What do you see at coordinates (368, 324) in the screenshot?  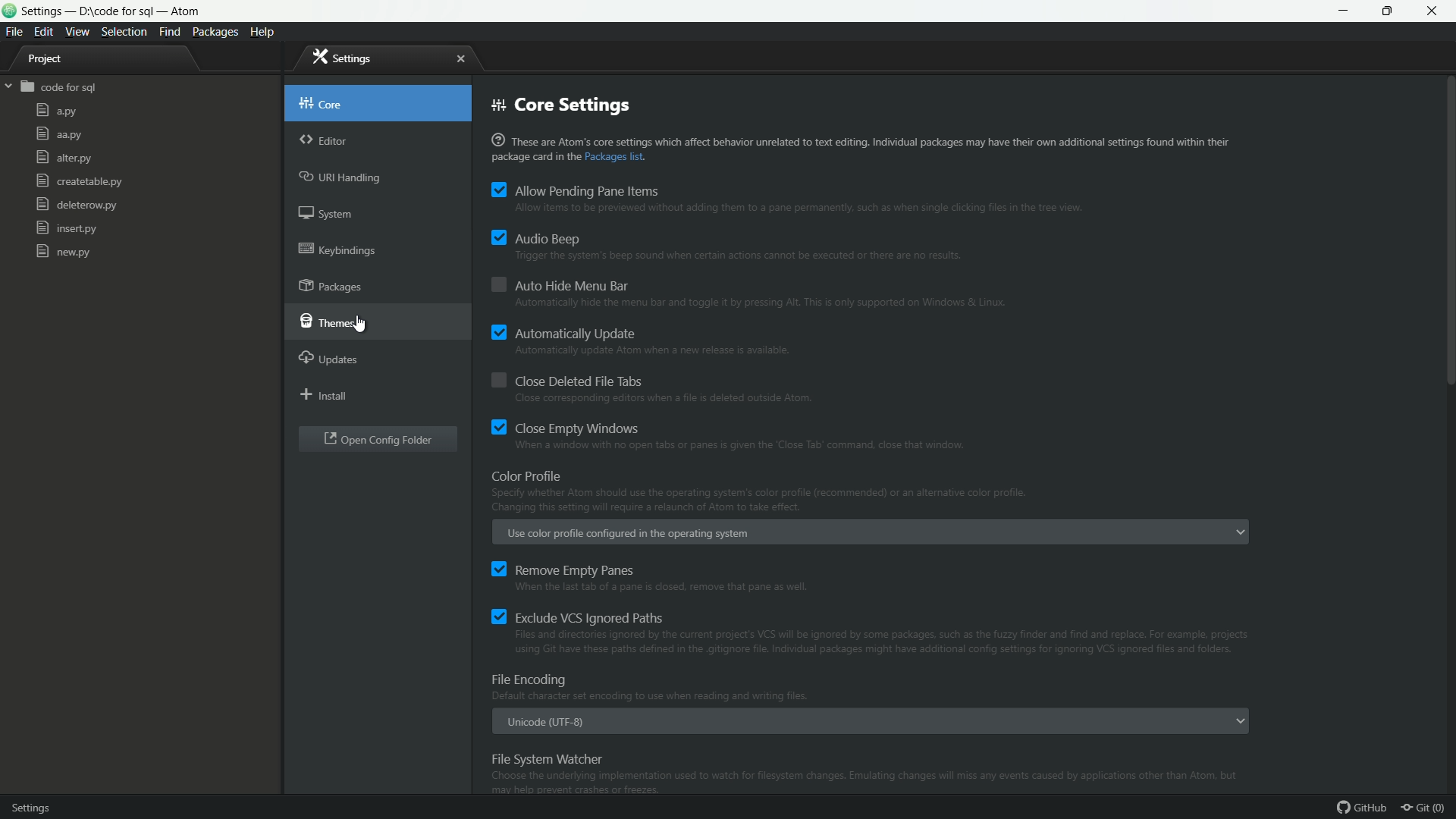 I see `cursor` at bounding box center [368, 324].